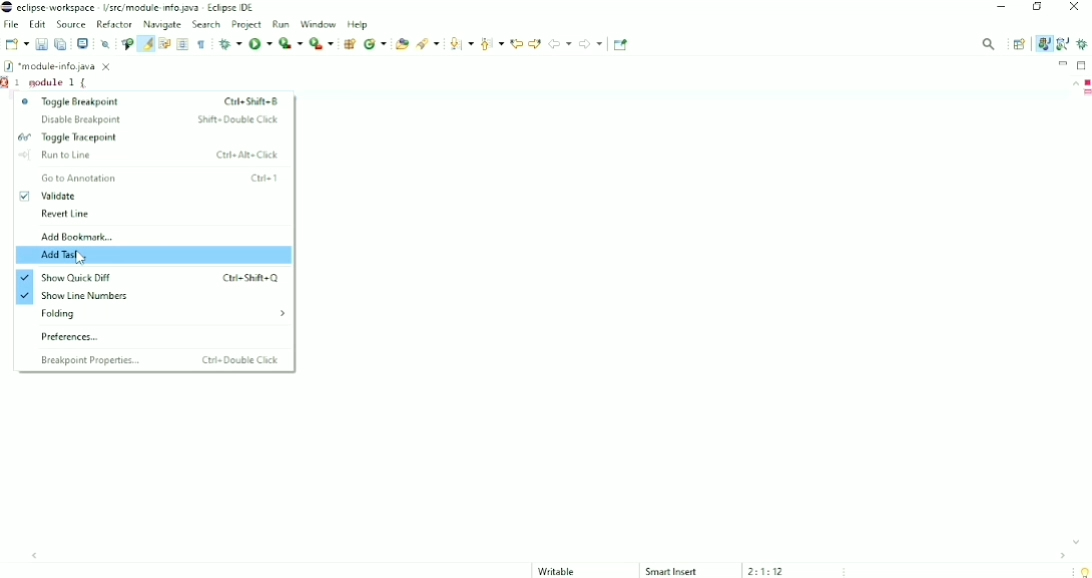  What do you see at coordinates (535, 42) in the screenshot?
I see `Next edit location` at bounding box center [535, 42].